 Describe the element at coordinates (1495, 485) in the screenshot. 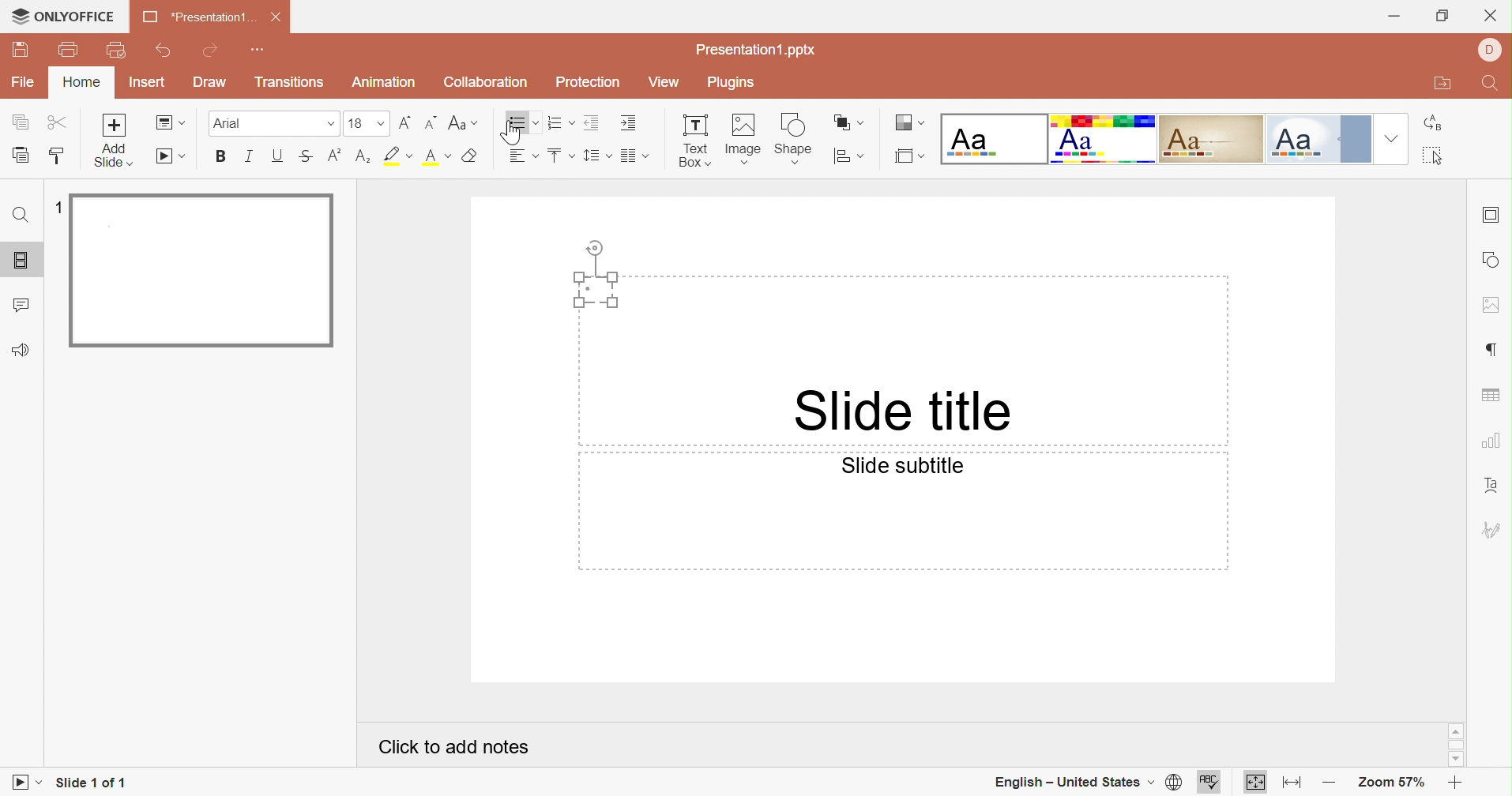

I see `Text Art settings` at that location.